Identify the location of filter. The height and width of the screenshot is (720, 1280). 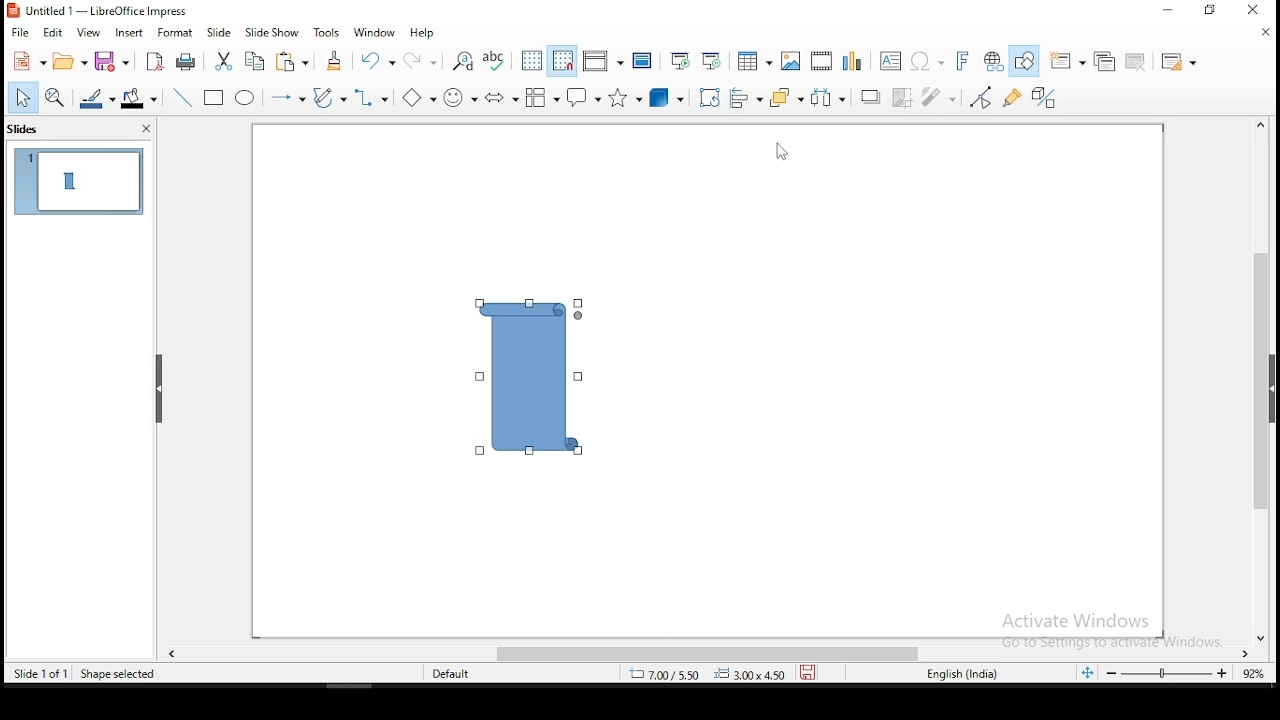
(940, 99).